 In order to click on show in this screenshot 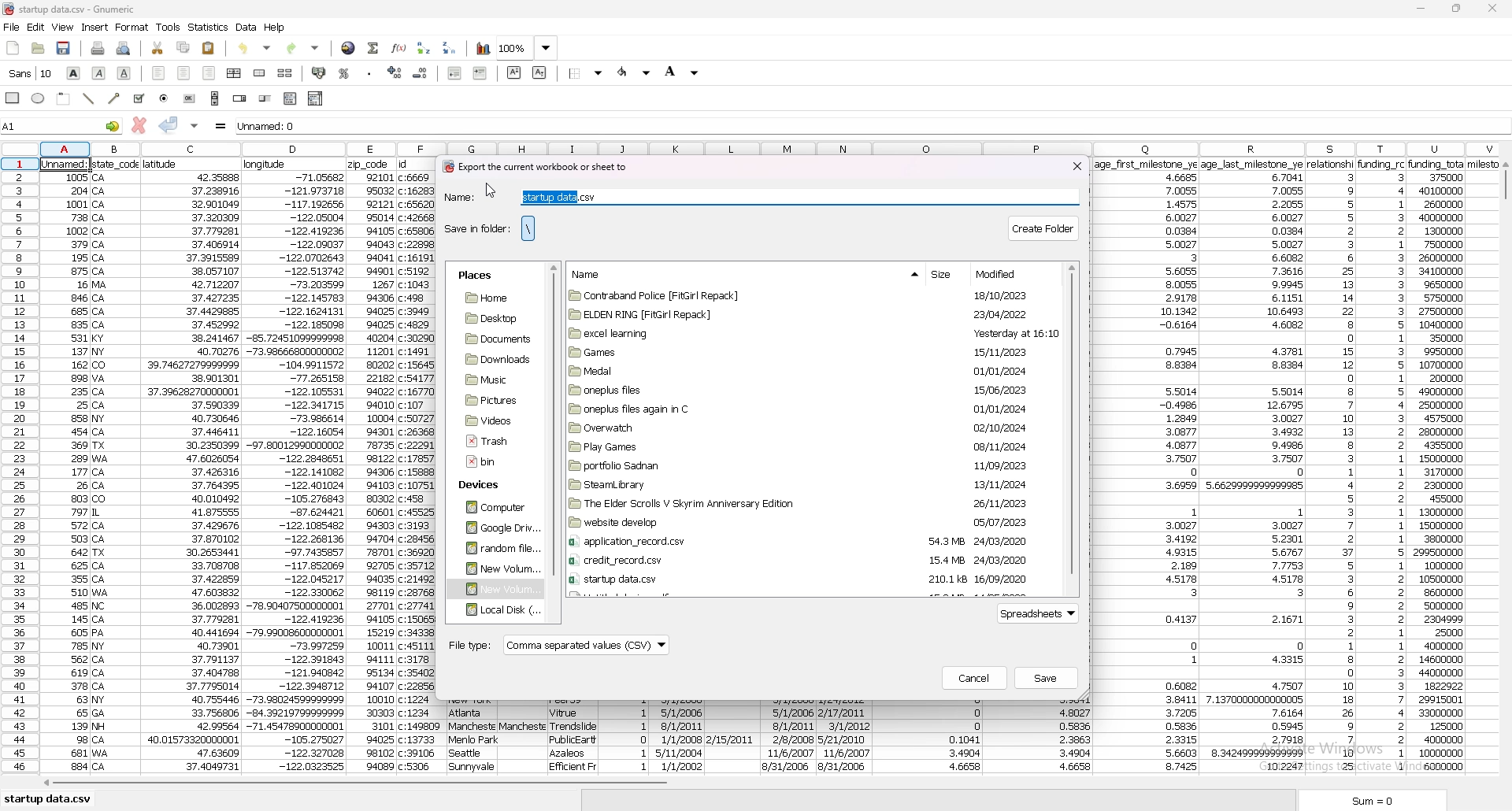, I will do `click(901, 275)`.